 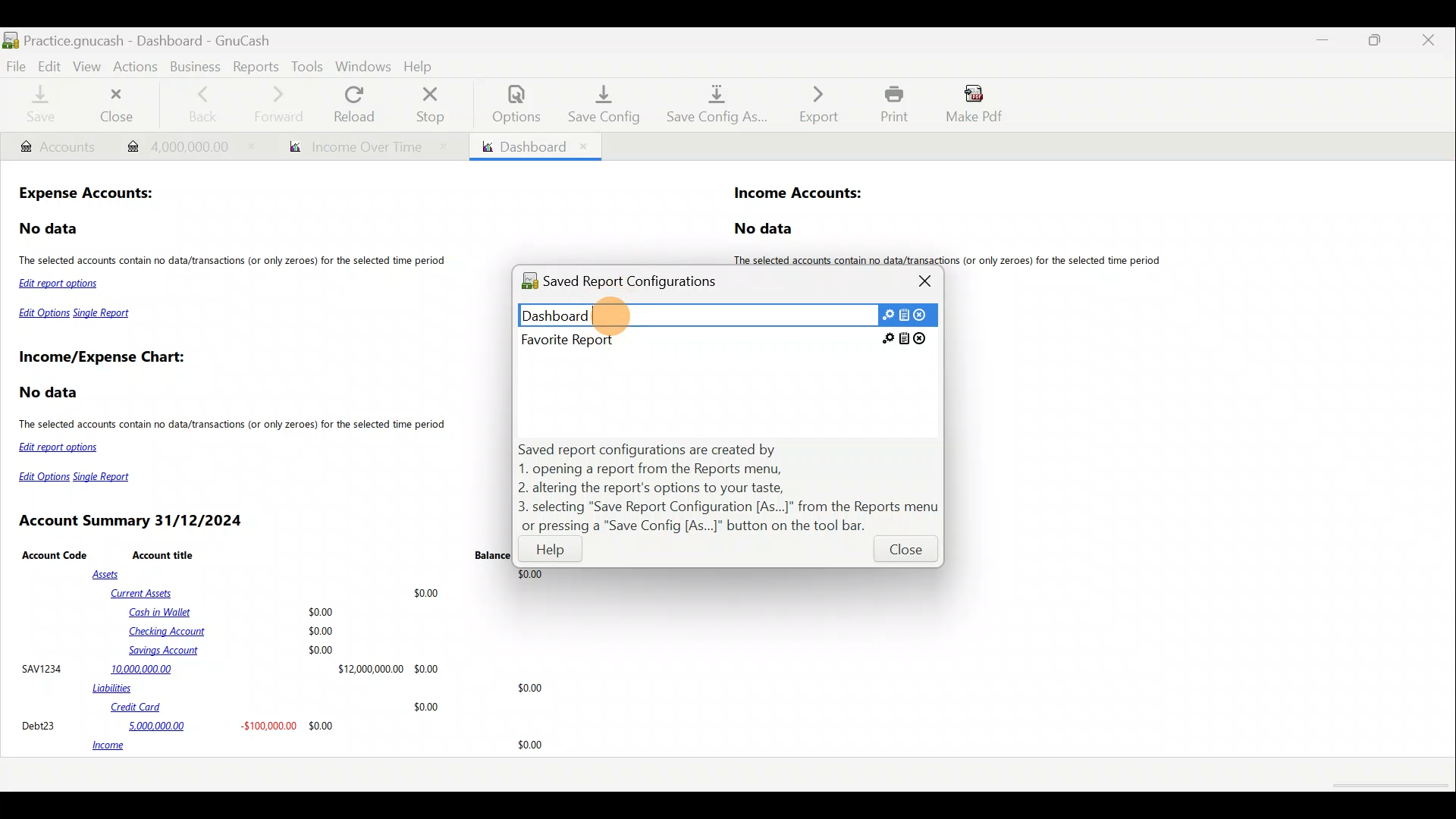 What do you see at coordinates (80, 477) in the screenshot?
I see `Edit Options Single Report` at bounding box center [80, 477].